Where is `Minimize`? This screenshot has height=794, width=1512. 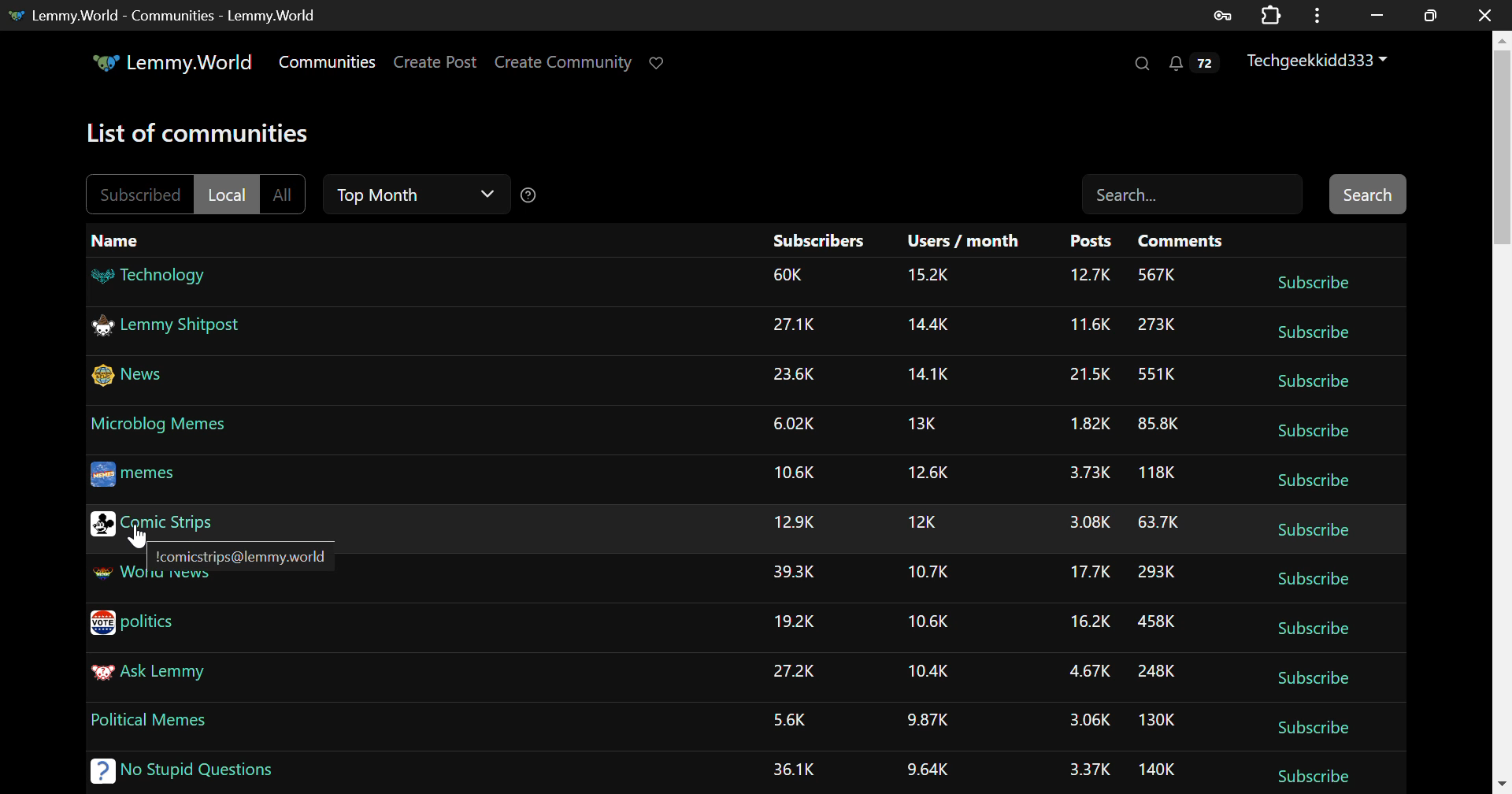 Minimize is located at coordinates (1433, 15).